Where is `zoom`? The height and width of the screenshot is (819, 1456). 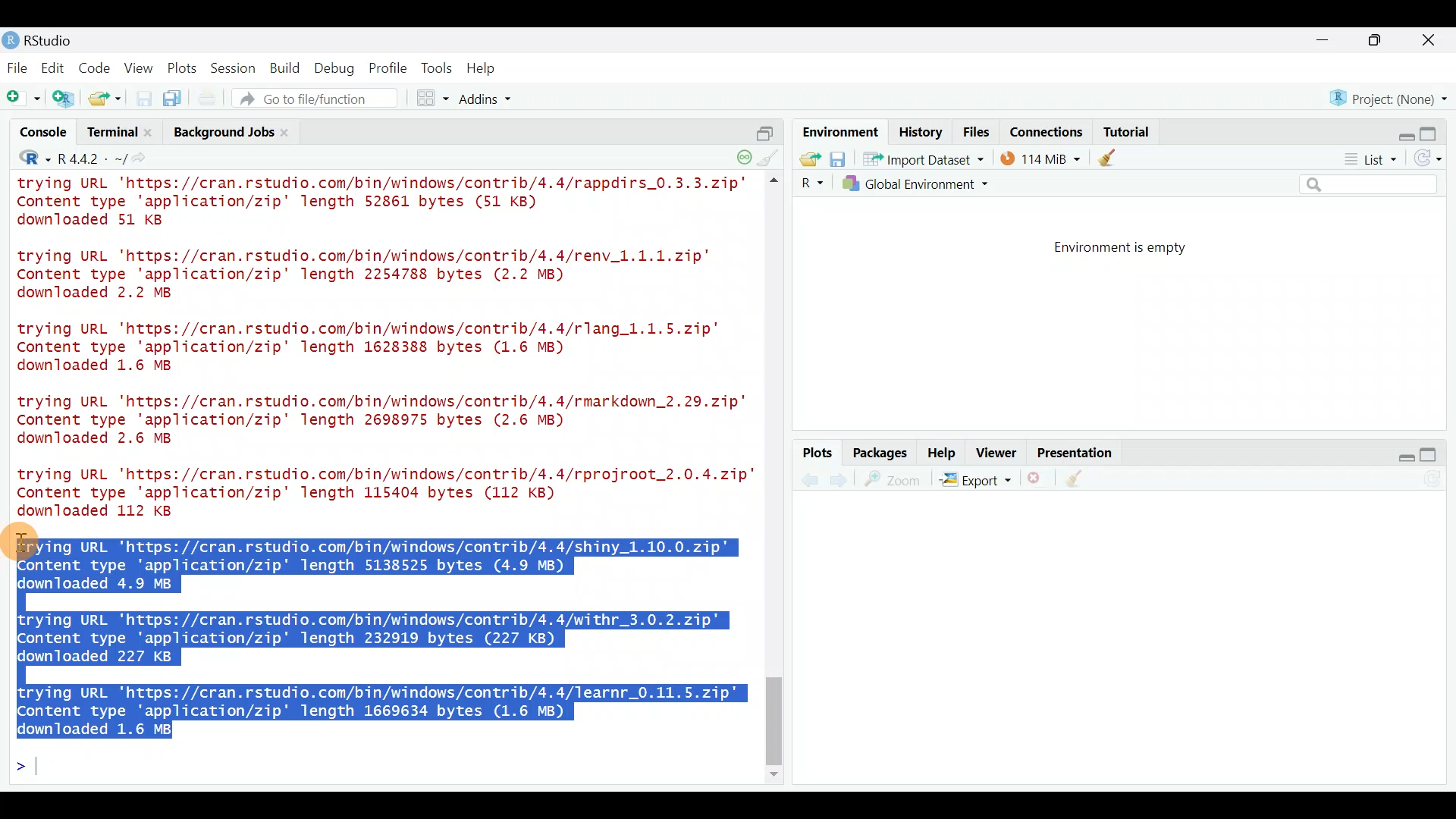 zoom is located at coordinates (896, 480).